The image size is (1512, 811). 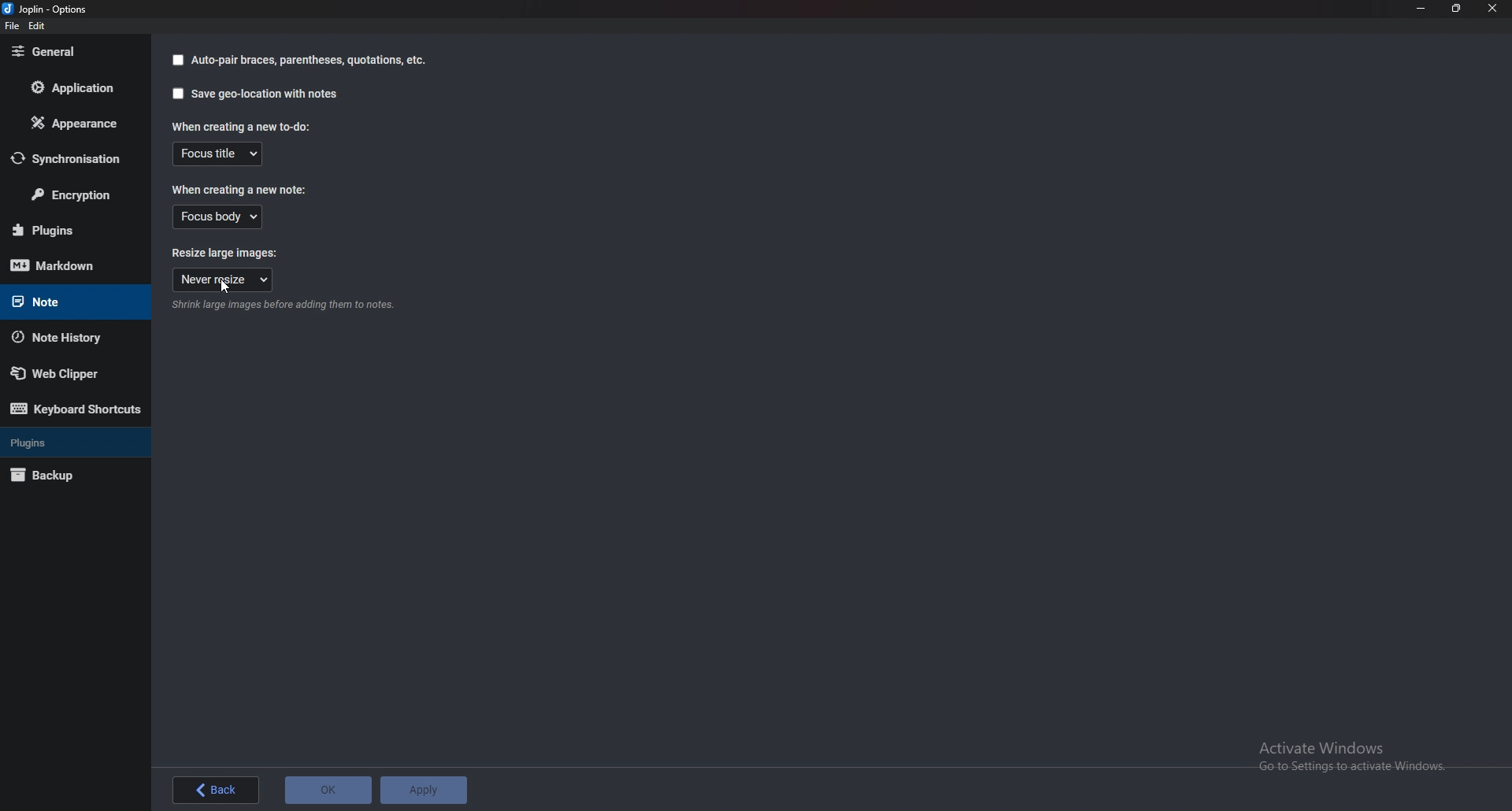 What do you see at coordinates (218, 154) in the screenshot?
I see `Focus title` at bounding box center [218, 154].